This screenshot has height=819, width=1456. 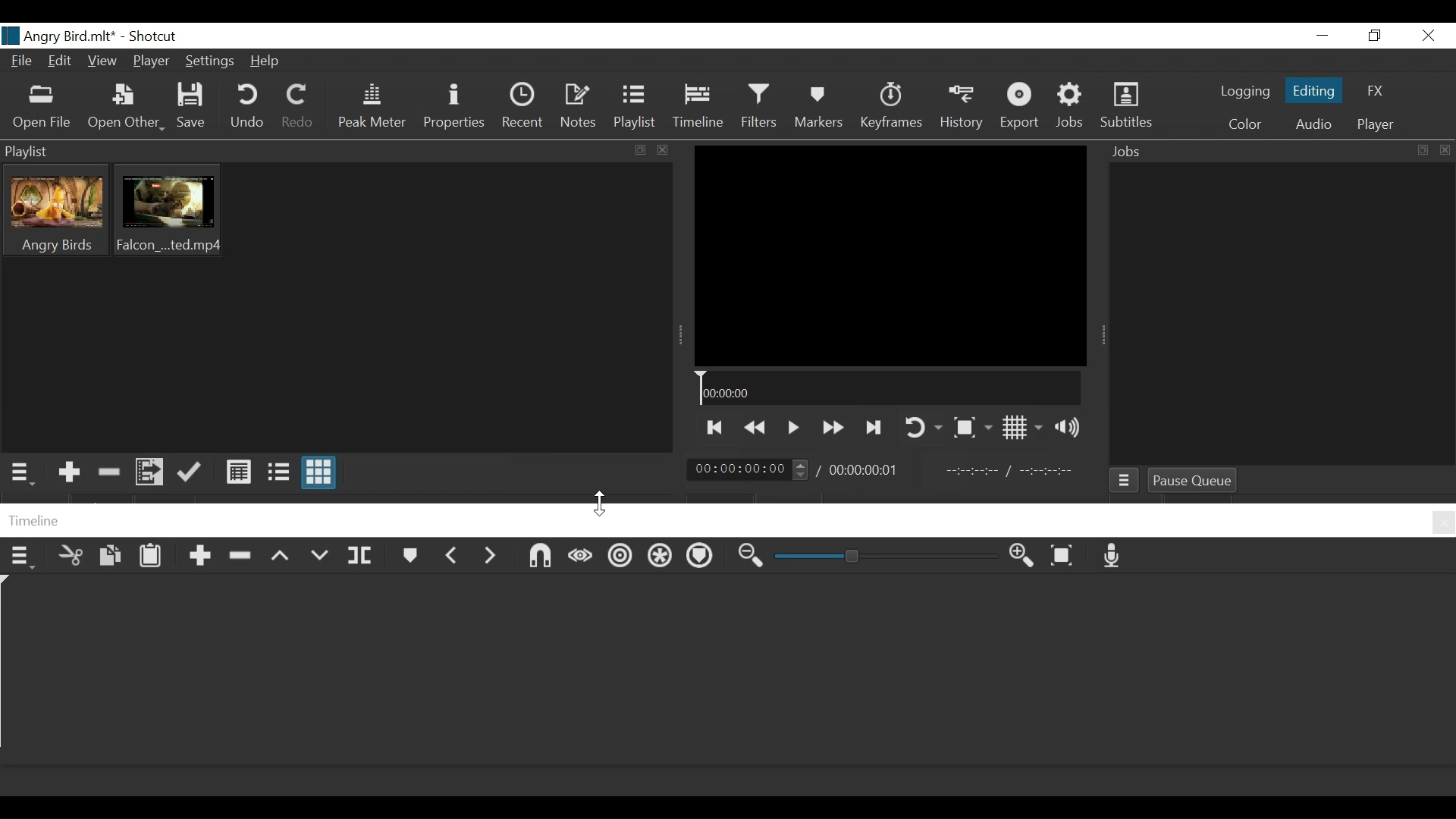 I want to click on Jobs Panel, so click(x=1281, y=314).